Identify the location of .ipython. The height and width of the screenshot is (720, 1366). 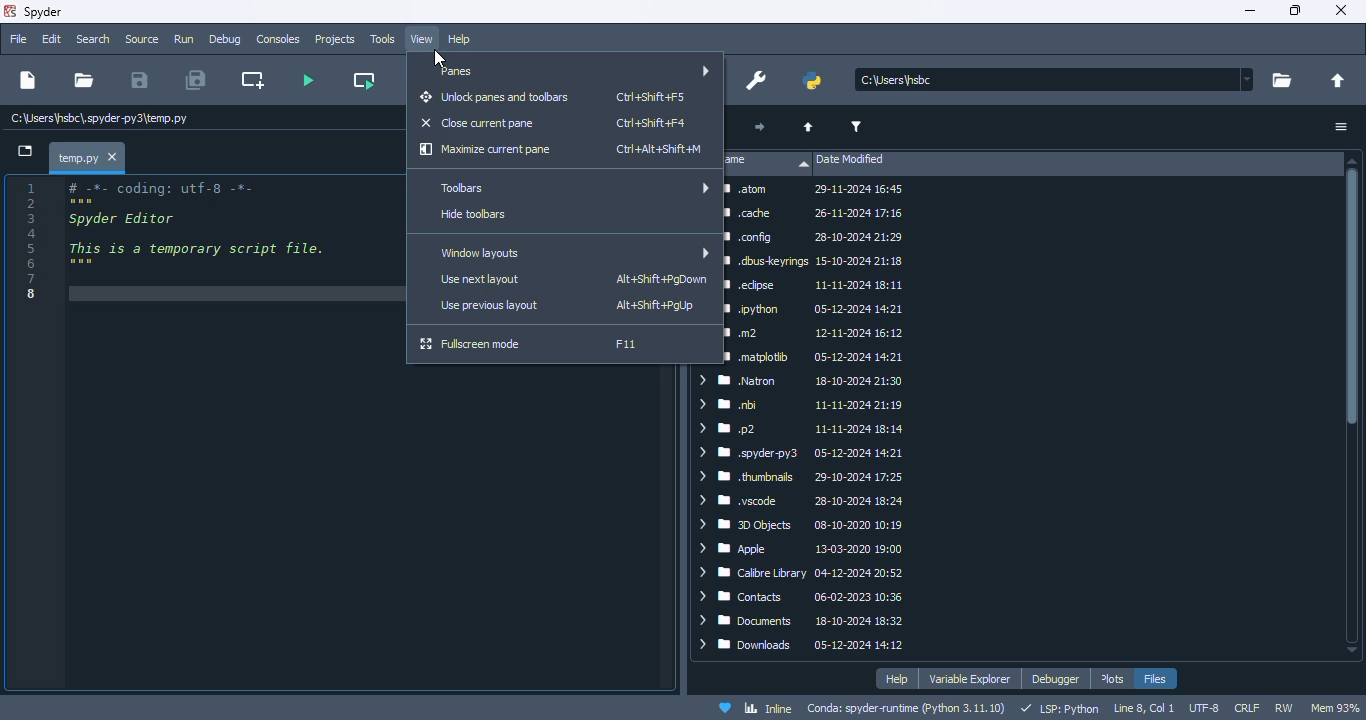
(815, 310).